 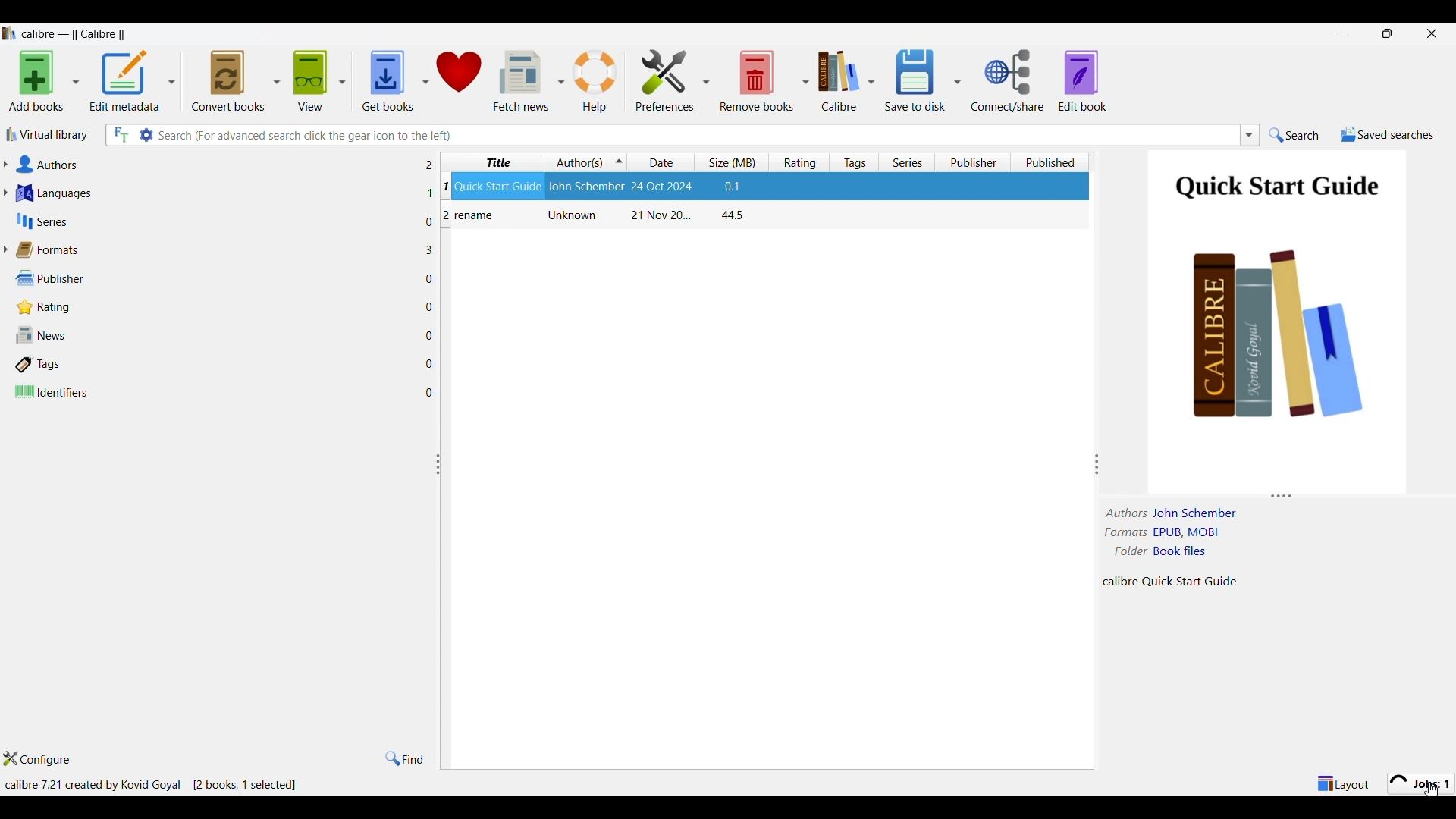 What do you see at coordinates (1432, 34) in the screenshot?
I see `Close interface` at bounding box center [1432, 34].